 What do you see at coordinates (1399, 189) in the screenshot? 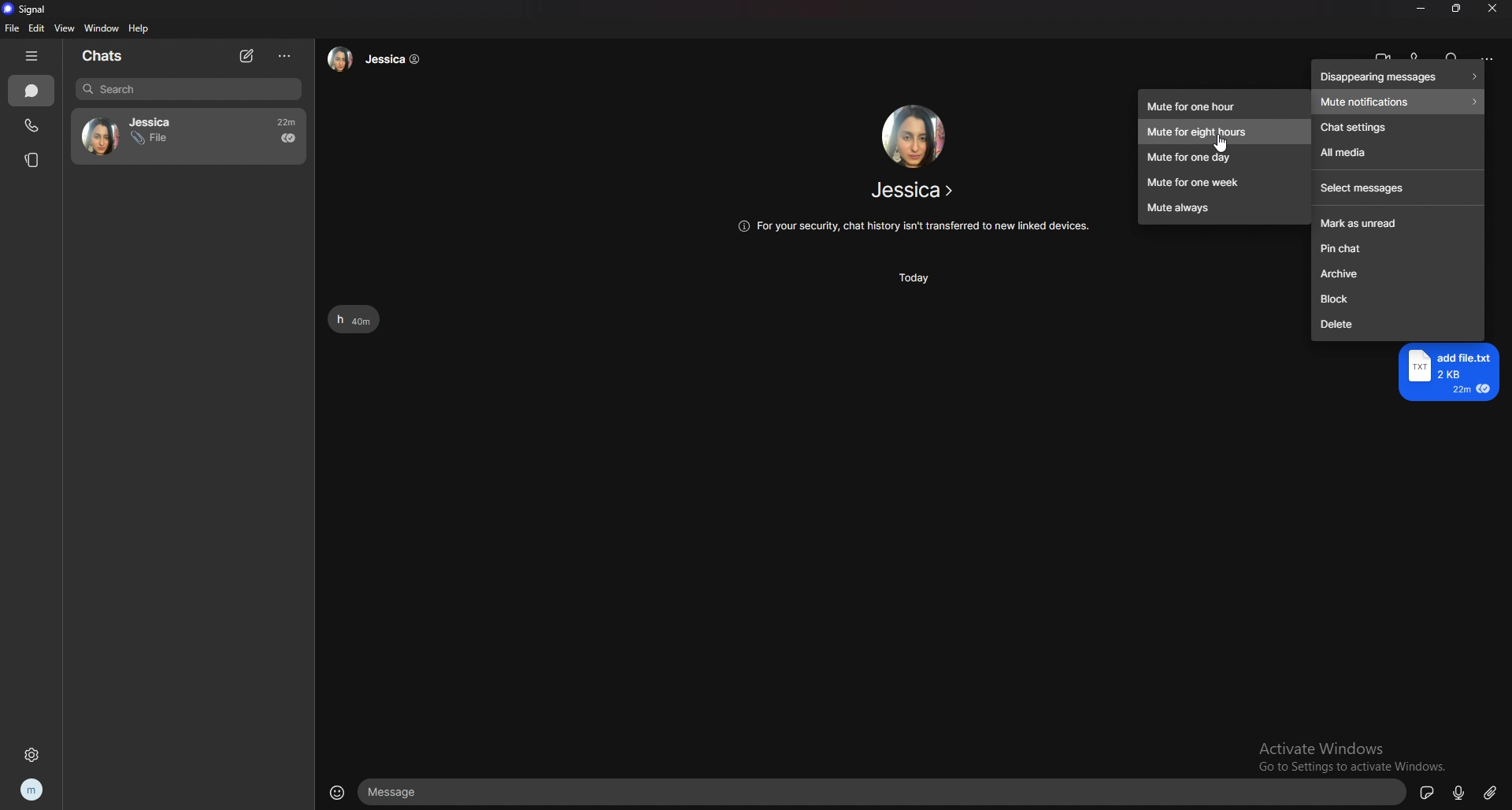
I see `select messages` at bounding box center [1399, 189].